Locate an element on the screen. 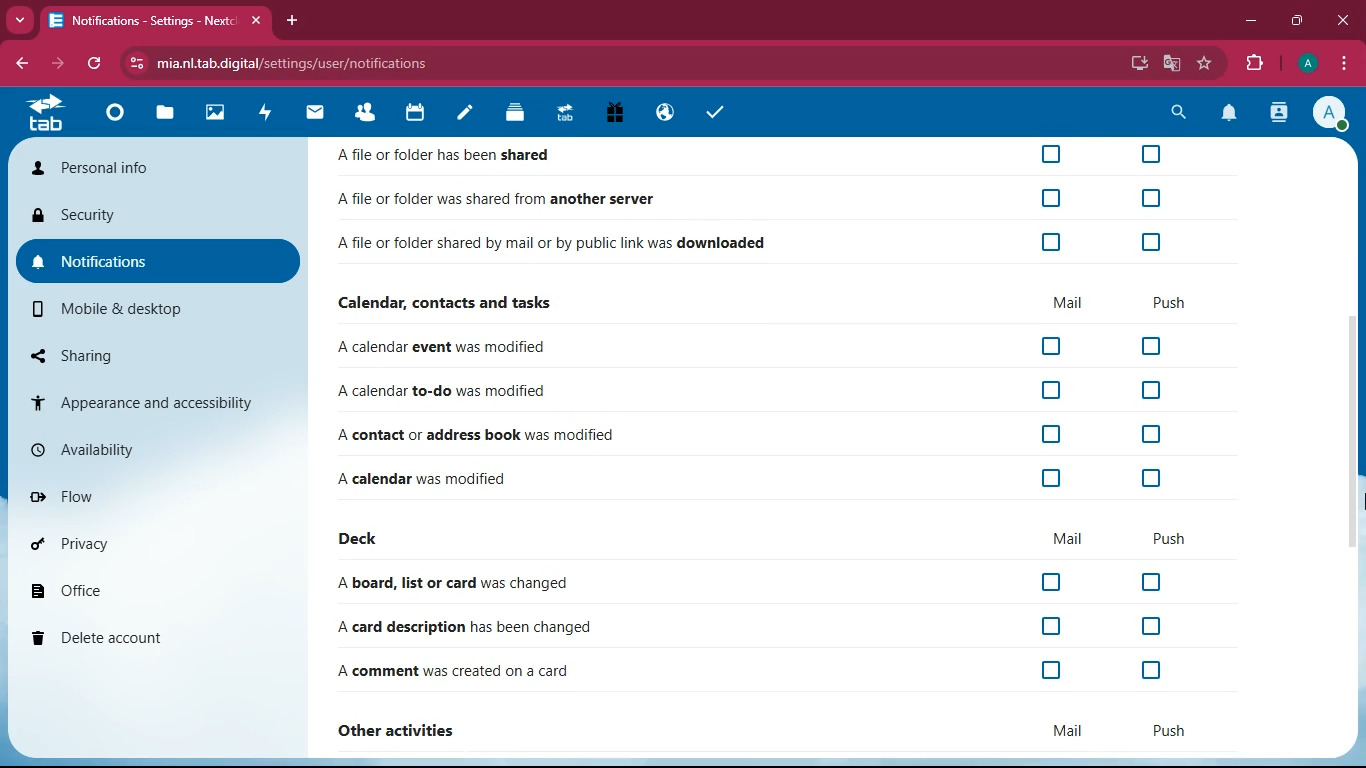 This screenshot has width=1366, height=768. notifications is located at coordinates (1226, 114).